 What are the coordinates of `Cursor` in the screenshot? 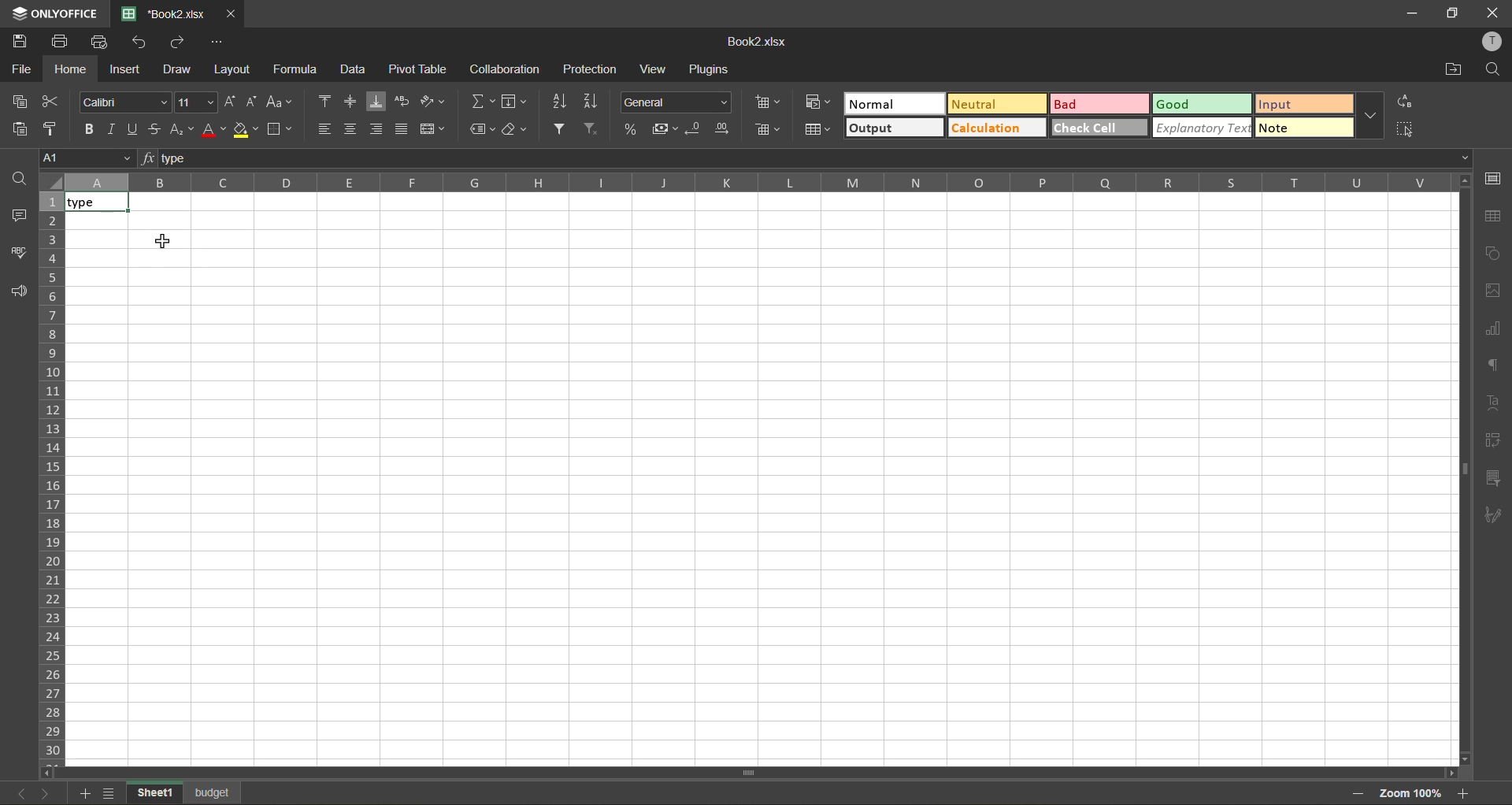 It's located at (165, 242).